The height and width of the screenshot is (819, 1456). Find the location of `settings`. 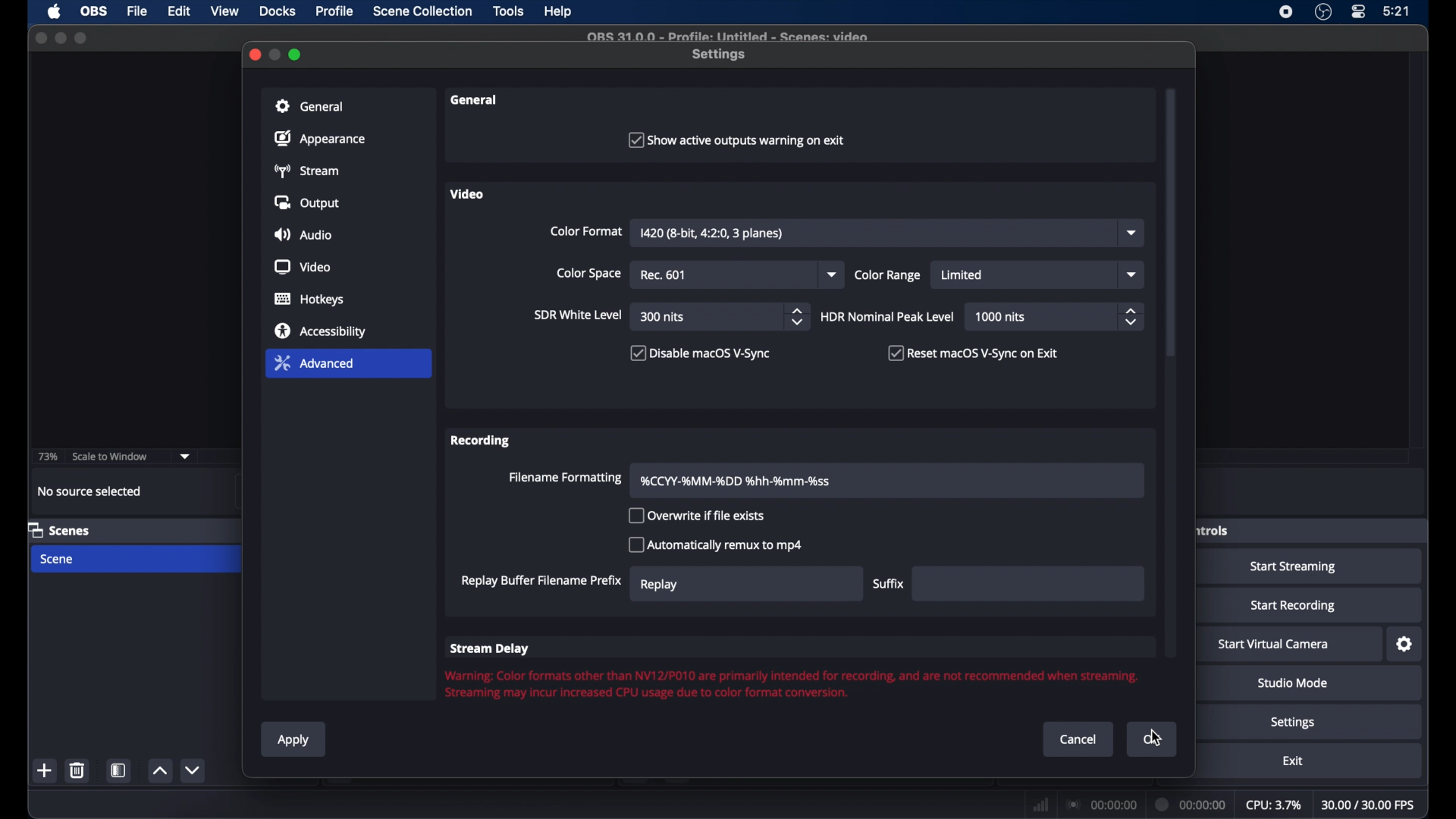

settings is located at coordinates (718, 55).